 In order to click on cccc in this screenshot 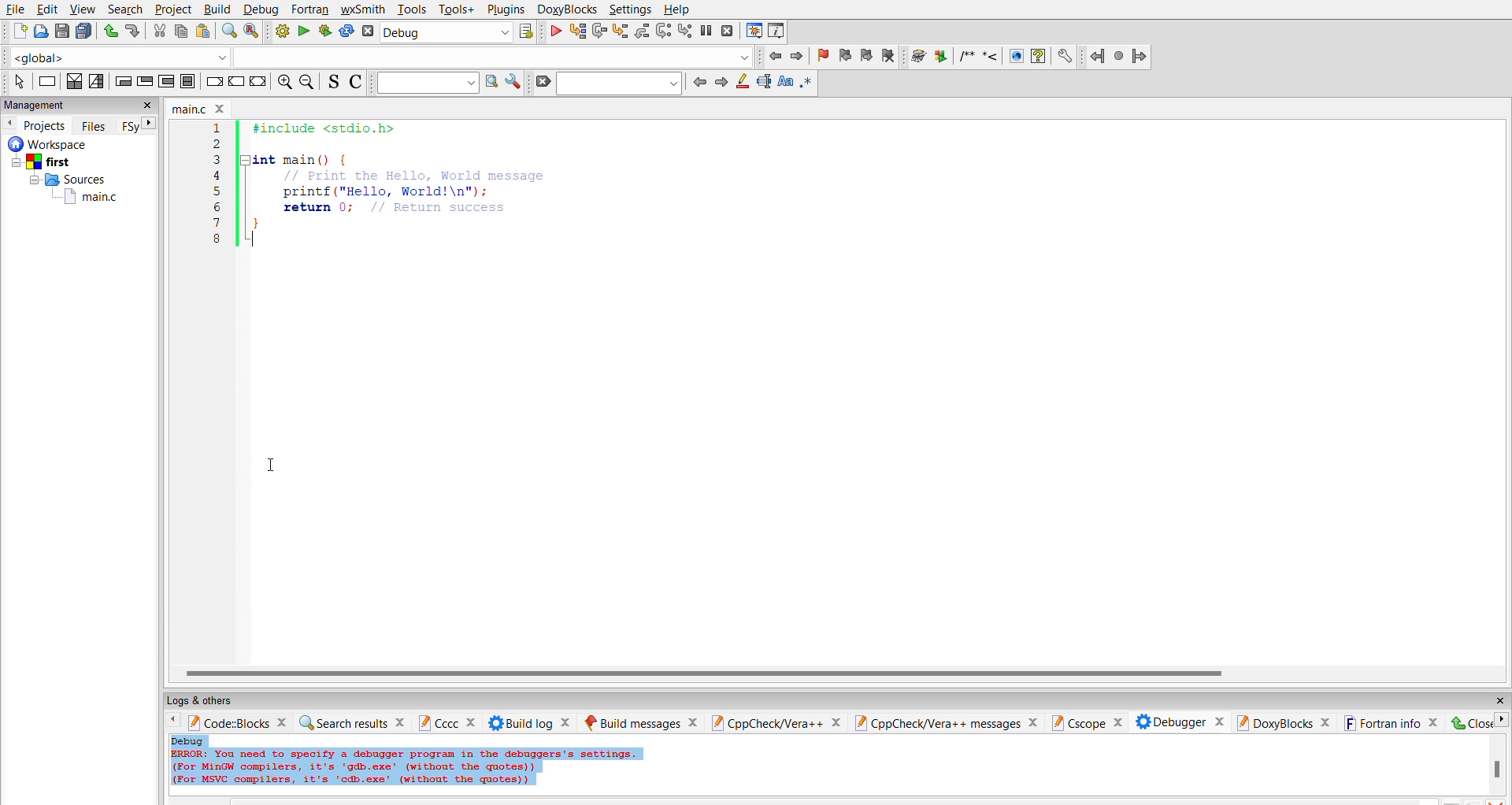, I will do `click(443, 722)`.